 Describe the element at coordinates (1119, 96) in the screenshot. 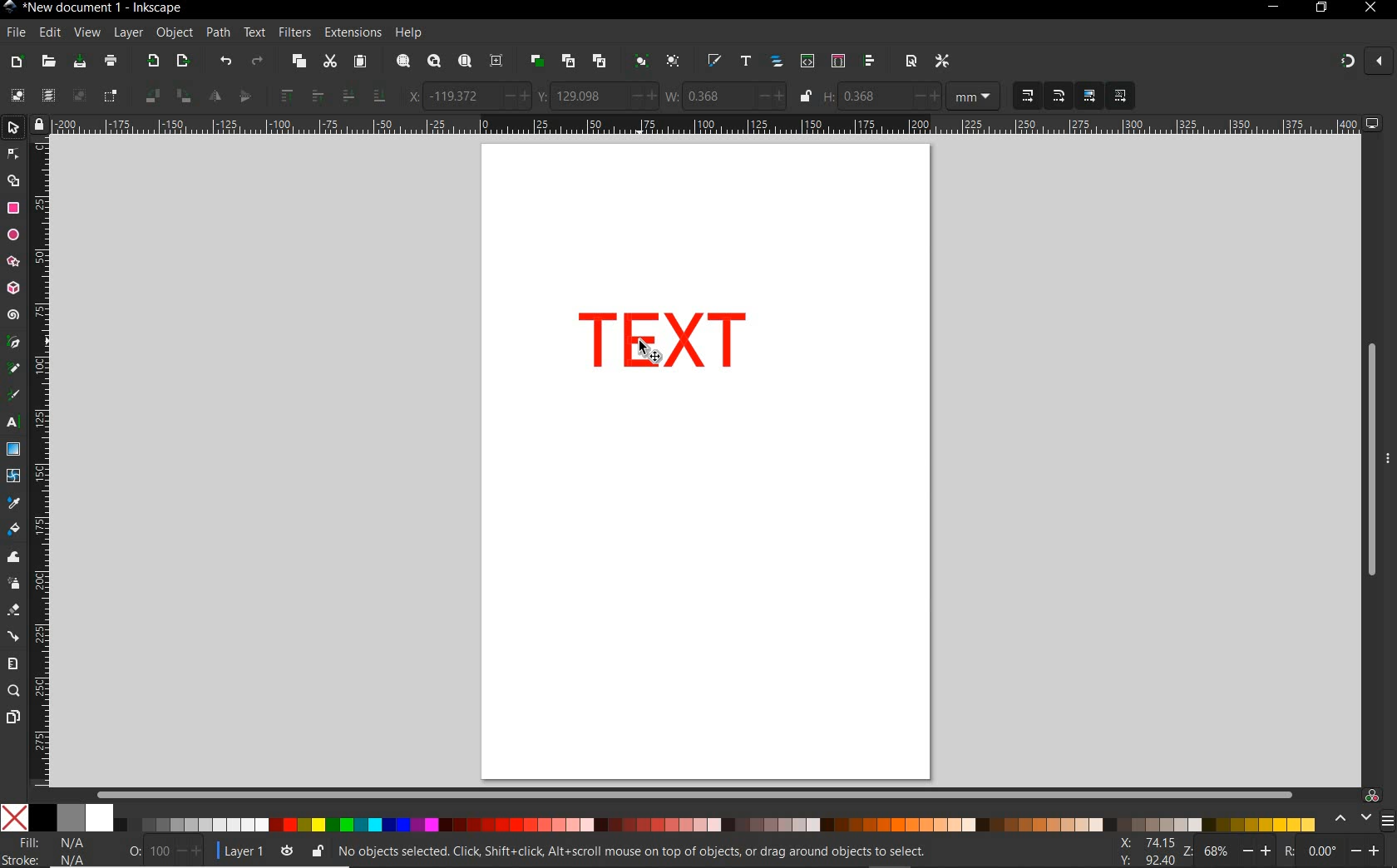

I see `MOVE PATTERNS` at that location.